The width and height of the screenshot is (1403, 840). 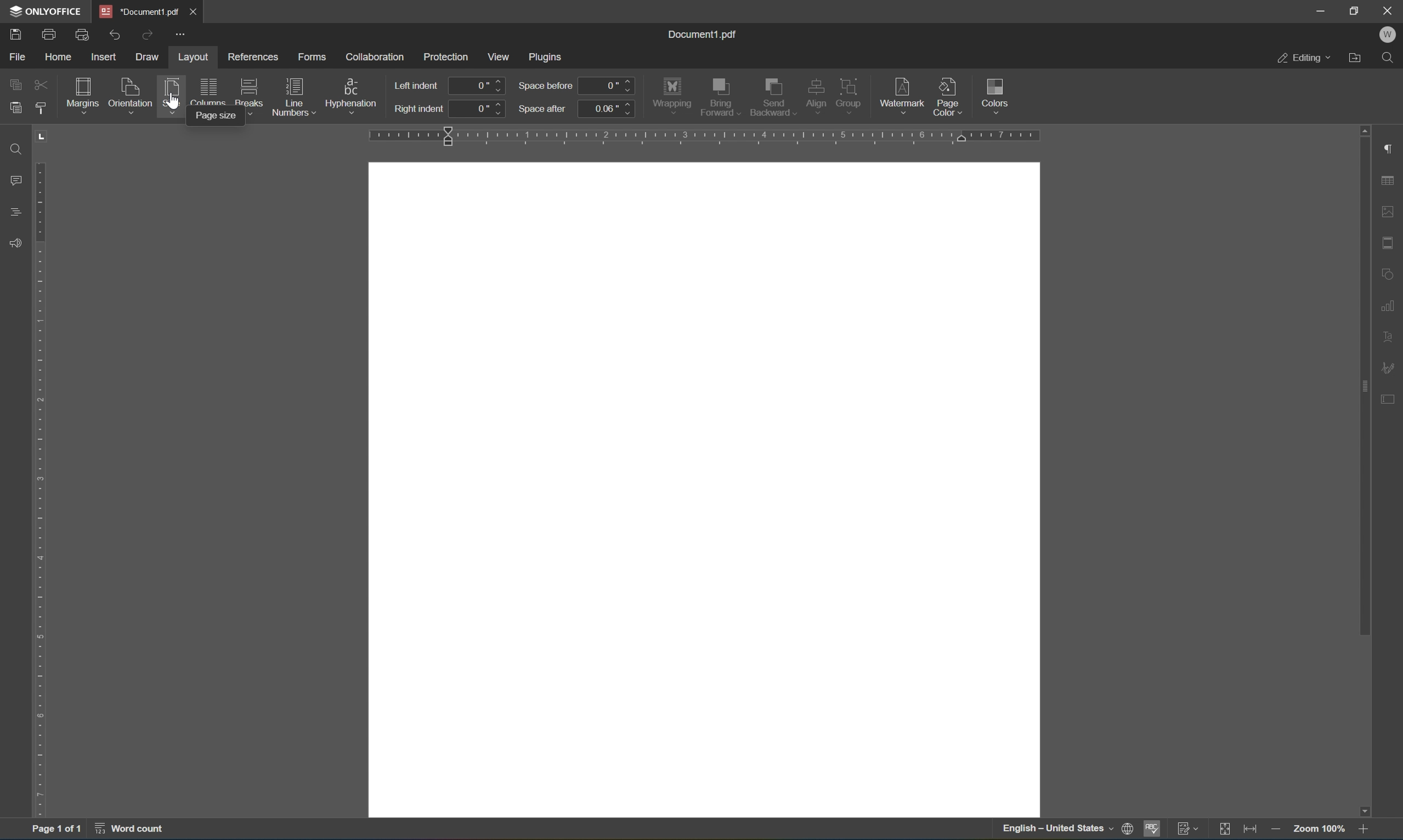 I want to click on columns, so click(x=207, y=90).